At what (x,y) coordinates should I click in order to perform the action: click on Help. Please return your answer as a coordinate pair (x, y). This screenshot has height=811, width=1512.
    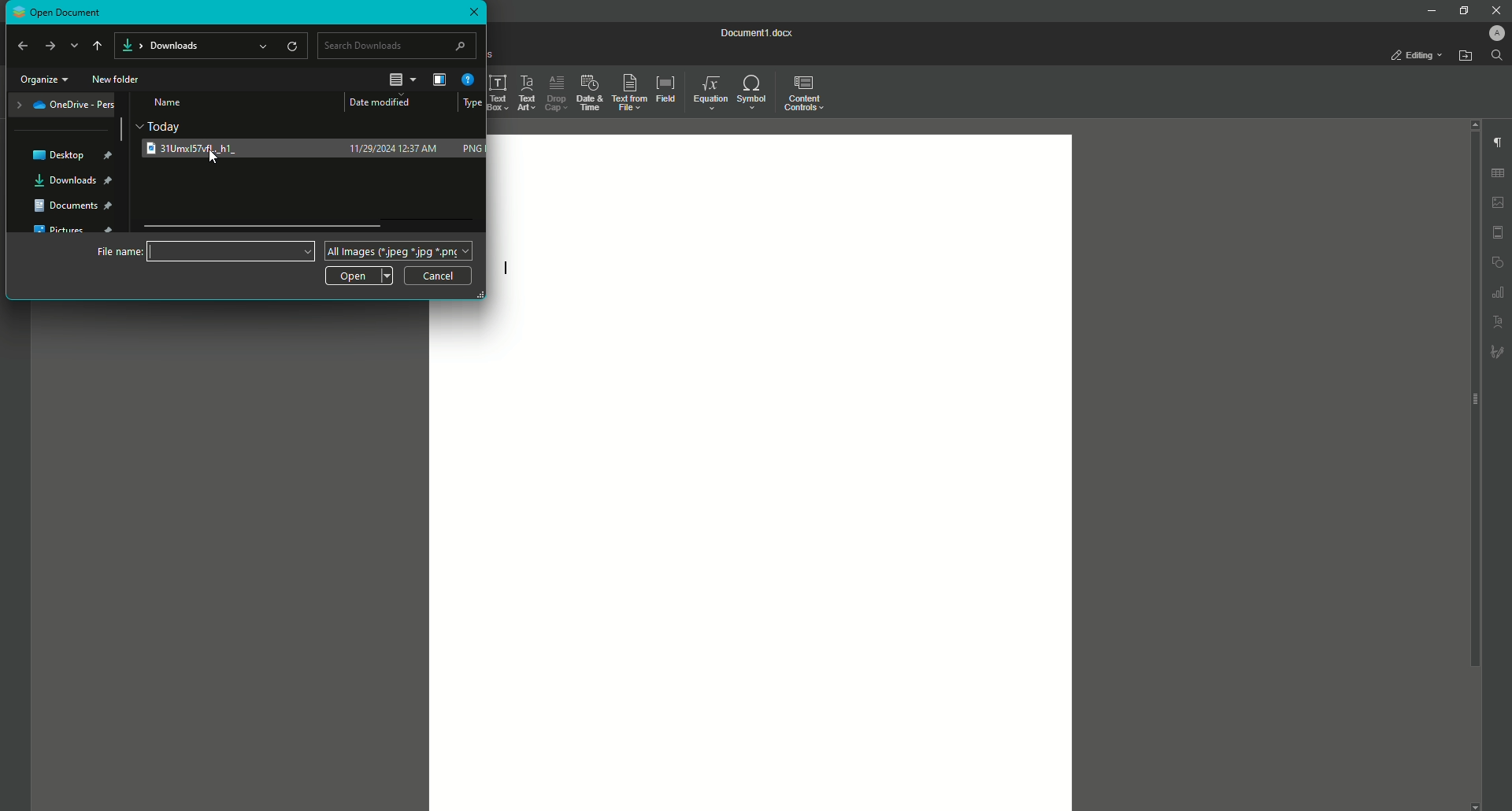
    Looking at the image, I should click on (469, 79).